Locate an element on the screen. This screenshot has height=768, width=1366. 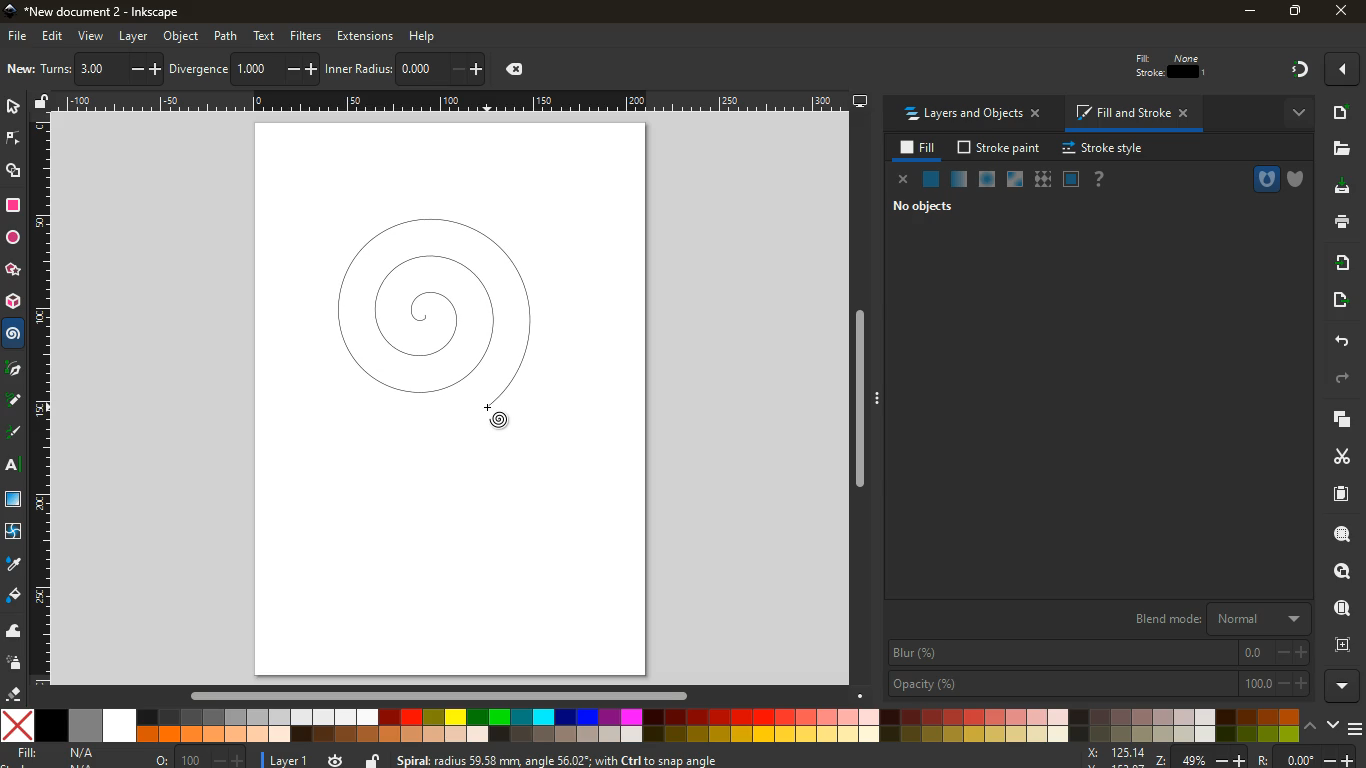
text is located at coordinates (15, 467).